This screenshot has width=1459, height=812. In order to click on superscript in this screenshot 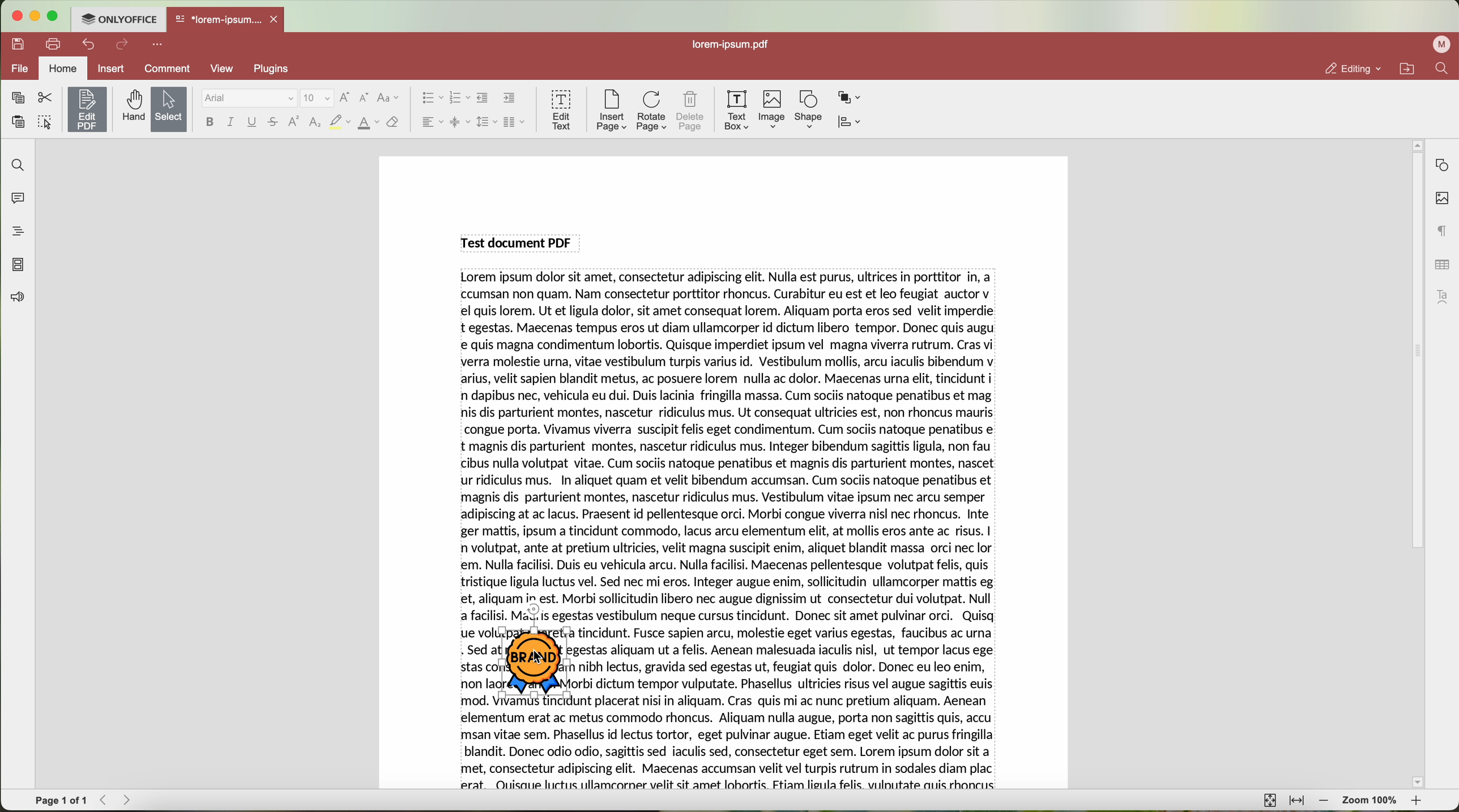, I will do `click(295, 121)`.